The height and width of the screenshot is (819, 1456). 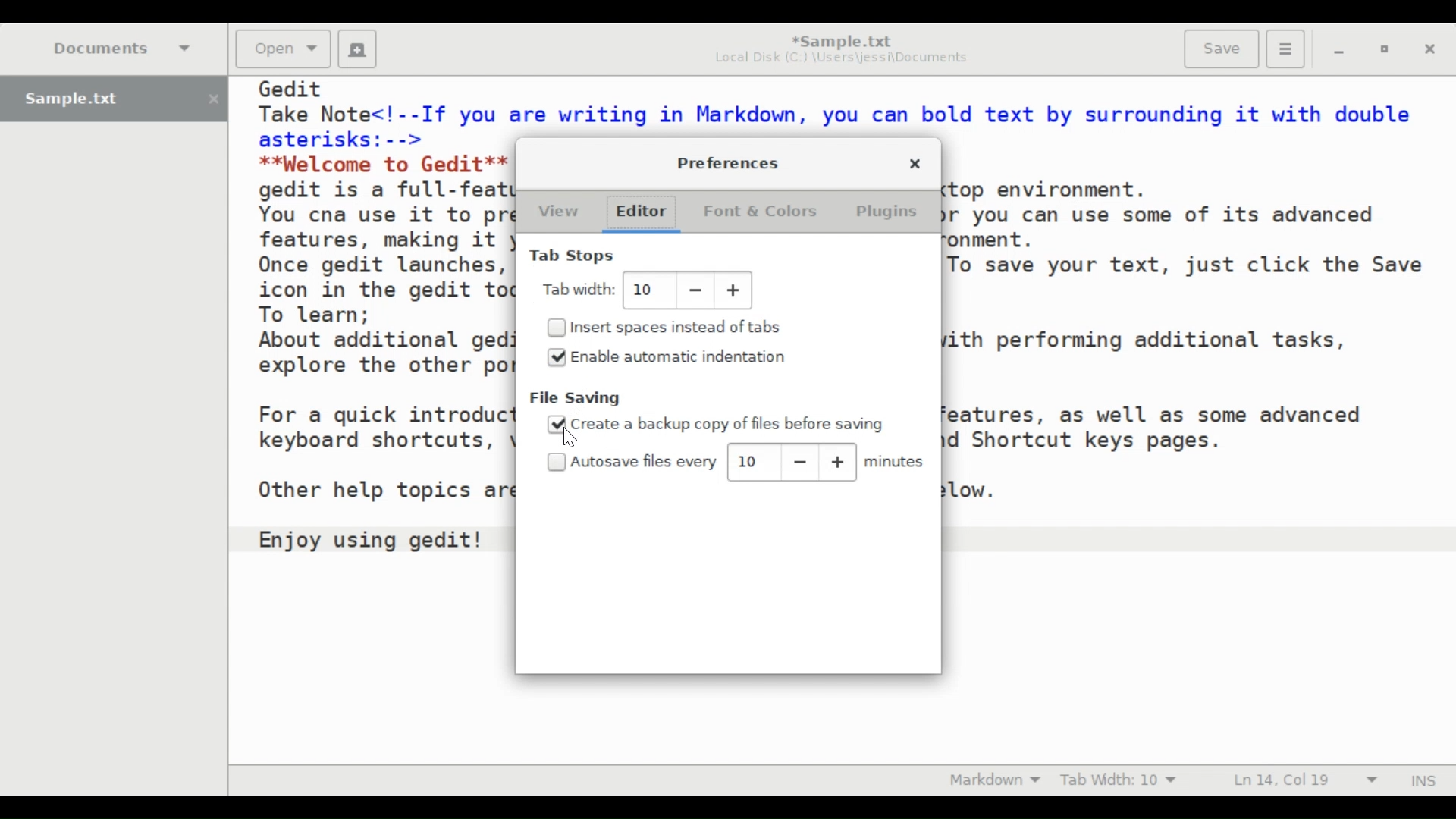 What do you see at coordinates (357, 49) in the screenshot?
I see `Create a new Document` at bounding box center [357, 49].